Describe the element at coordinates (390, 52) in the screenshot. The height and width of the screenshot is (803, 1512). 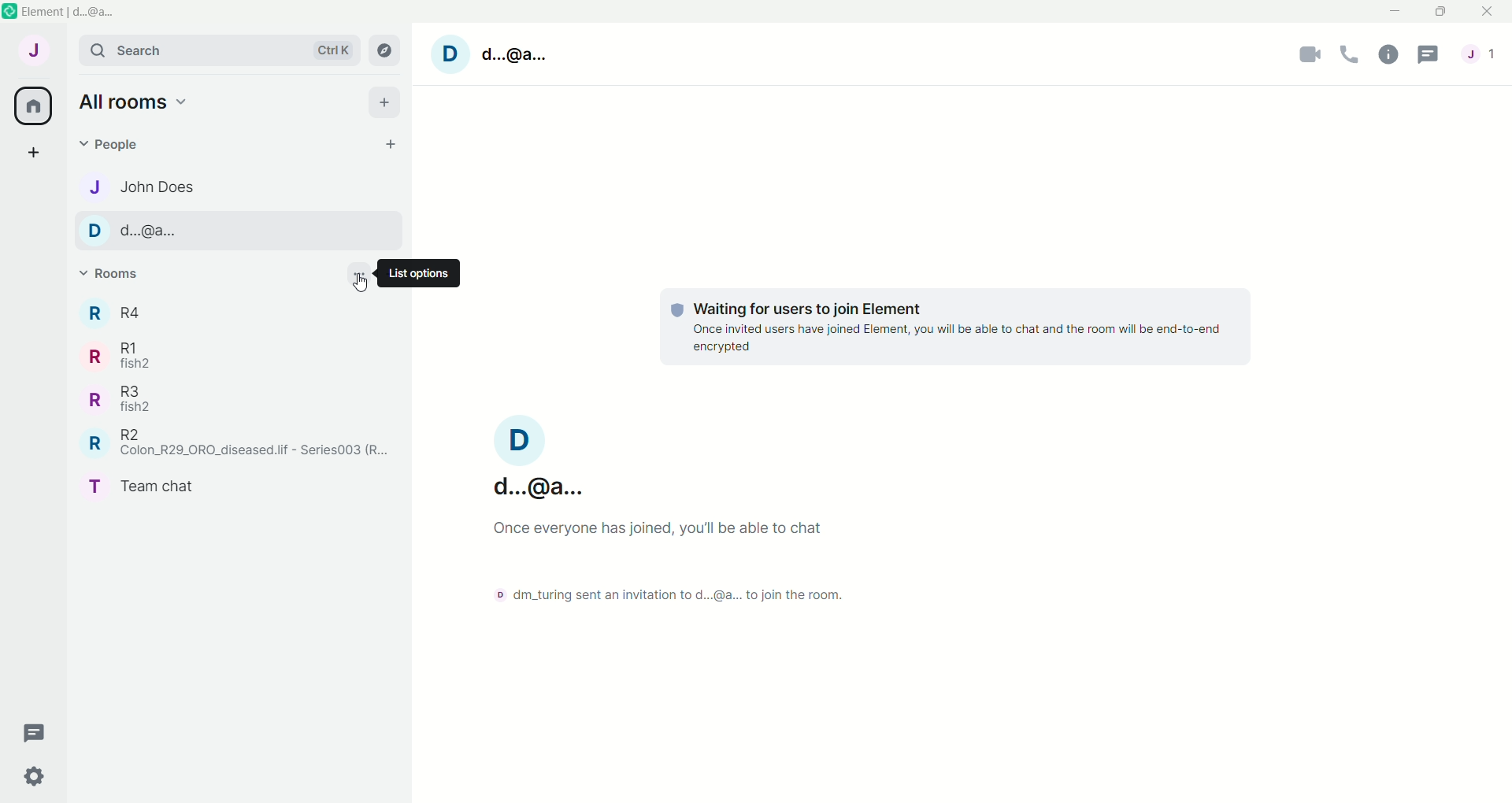
I see `Explore Rooms` at that location.